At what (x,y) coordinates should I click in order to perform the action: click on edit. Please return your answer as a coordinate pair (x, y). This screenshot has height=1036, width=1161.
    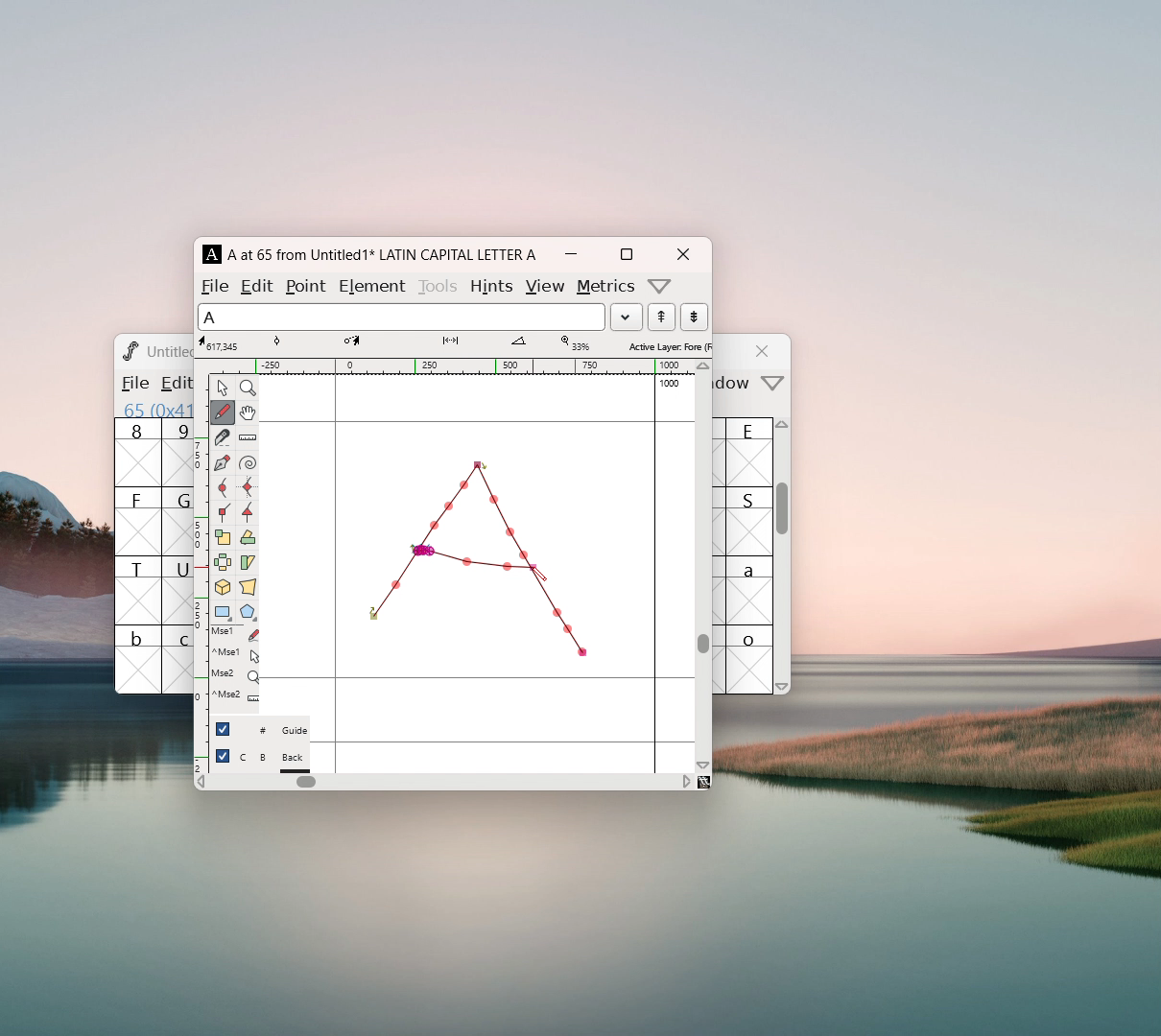
    Looking at the image, I should click on (258, 285).